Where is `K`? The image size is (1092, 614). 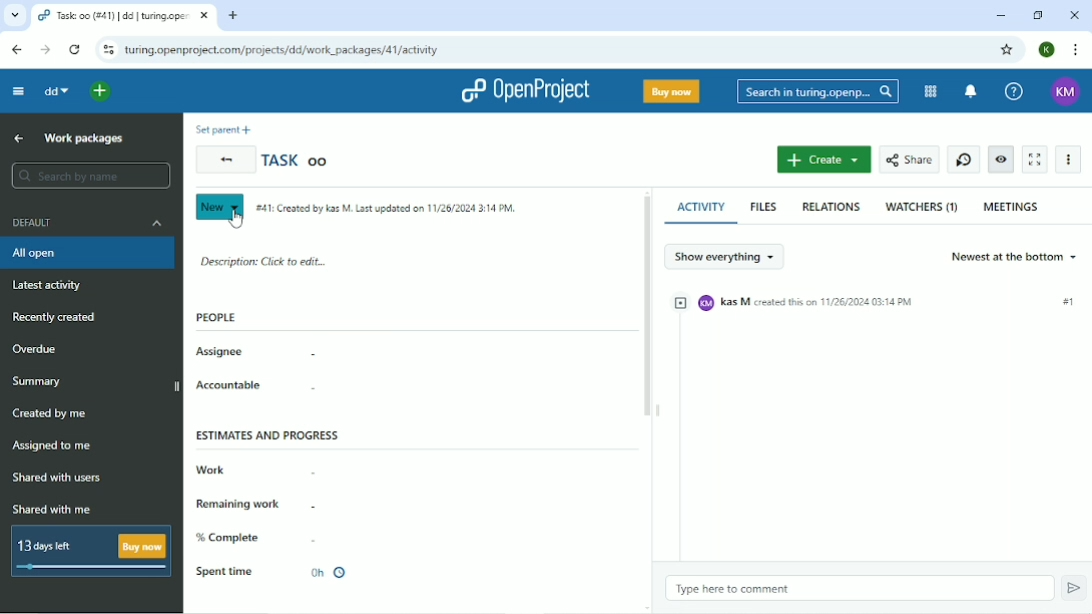
K is located at coordinates (1044, 50).